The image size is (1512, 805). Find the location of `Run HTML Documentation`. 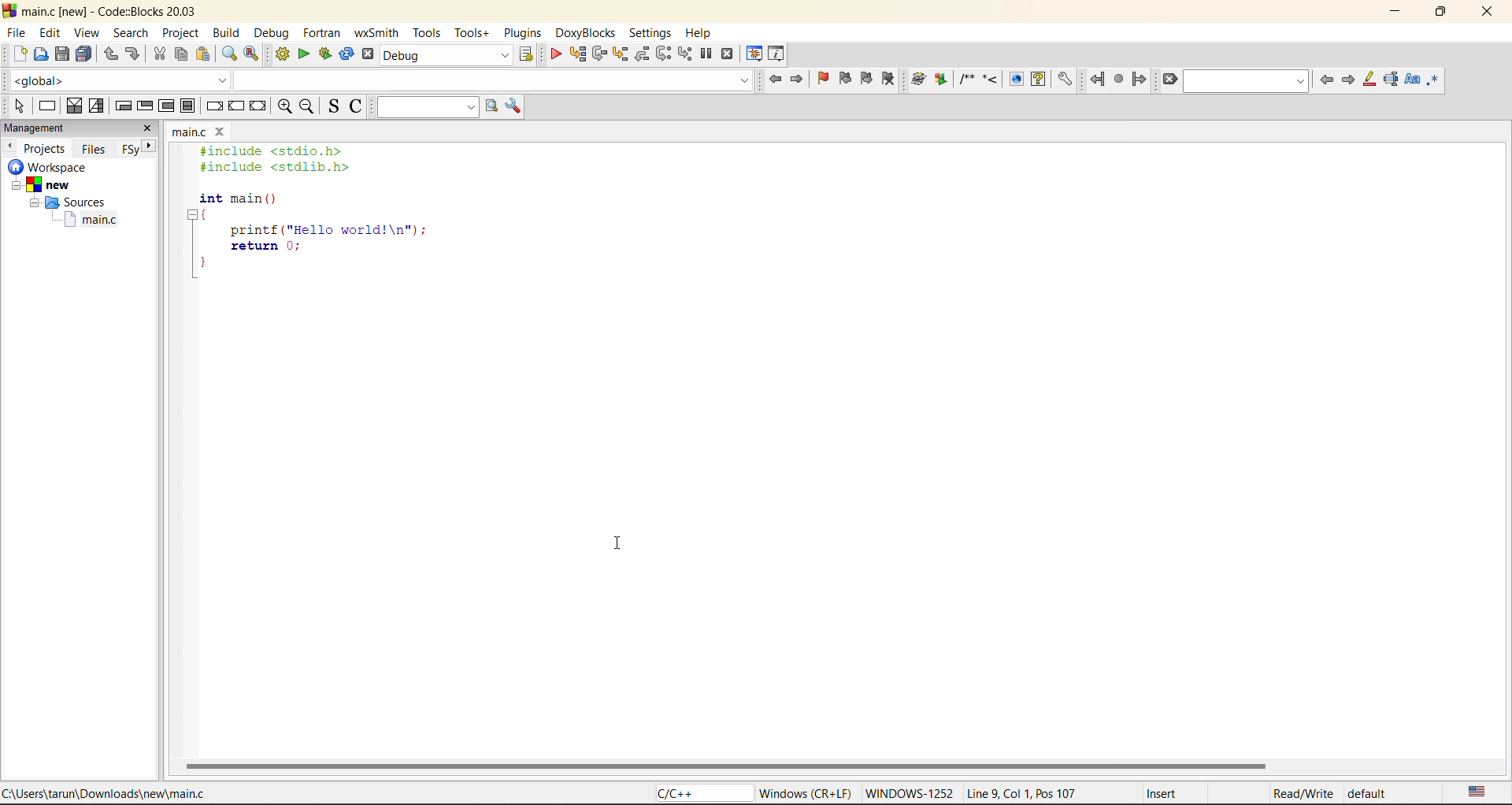

Run HTML Documentation is located at coordinates (1016, 78).